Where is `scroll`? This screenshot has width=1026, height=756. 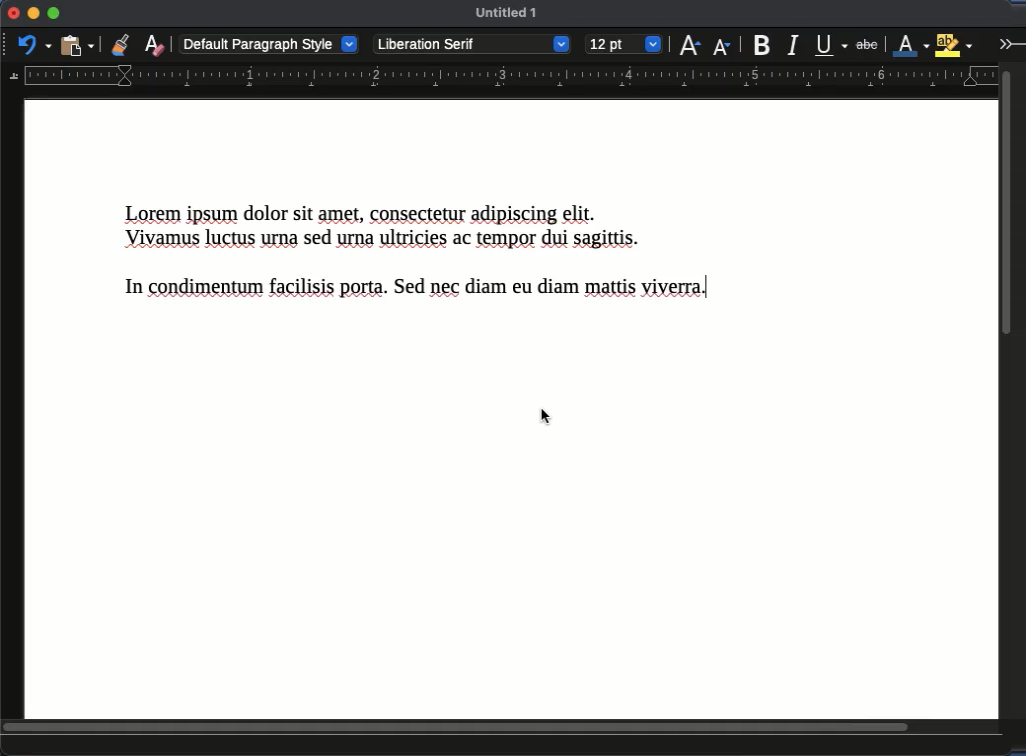 scroll is located at coordinates (503, 727).